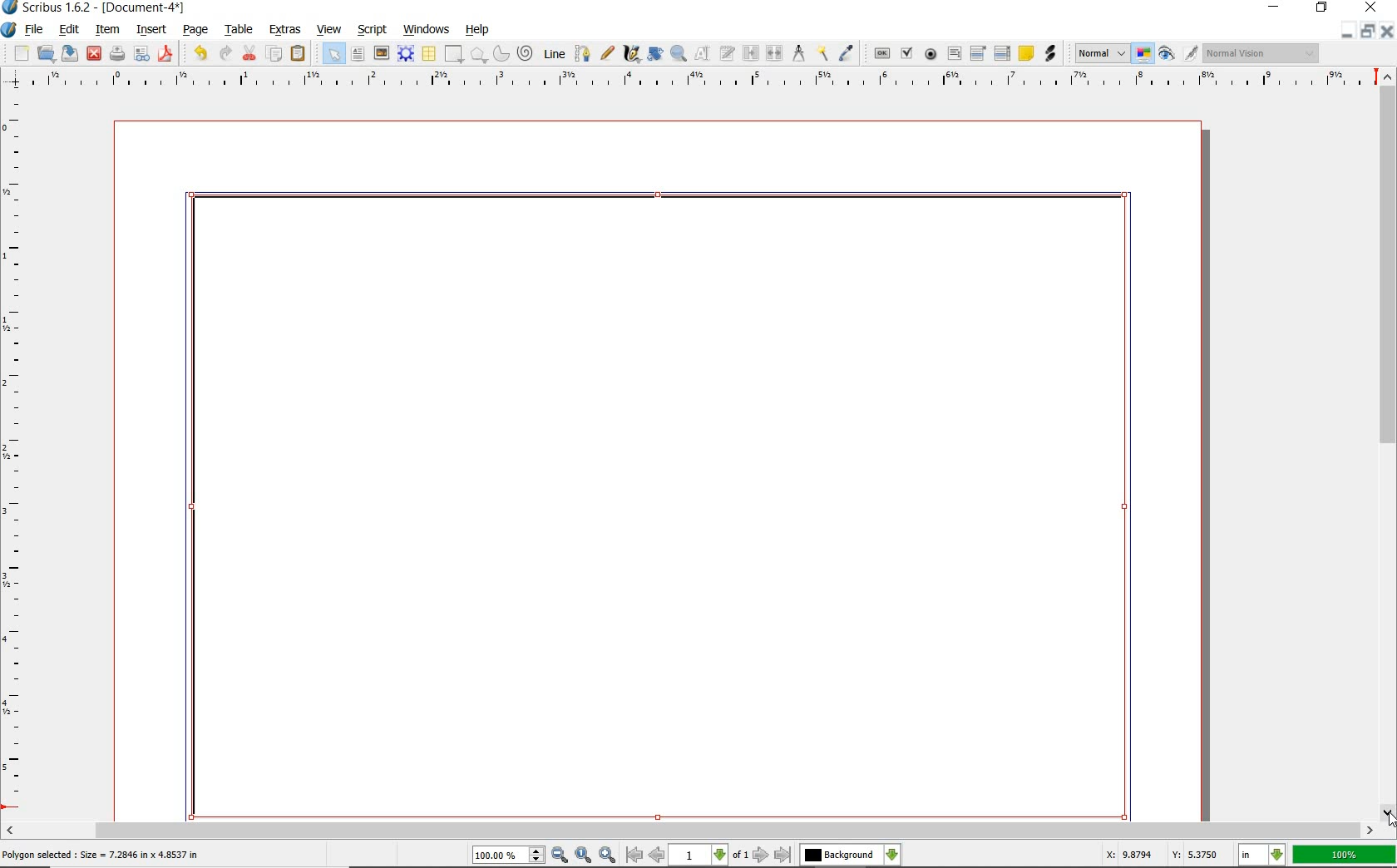 Image resolution: width=1397 pixels, height=868 pixels. Describe the element at coordinates (284, 30) in the screenshot. I see `extras` at that location.